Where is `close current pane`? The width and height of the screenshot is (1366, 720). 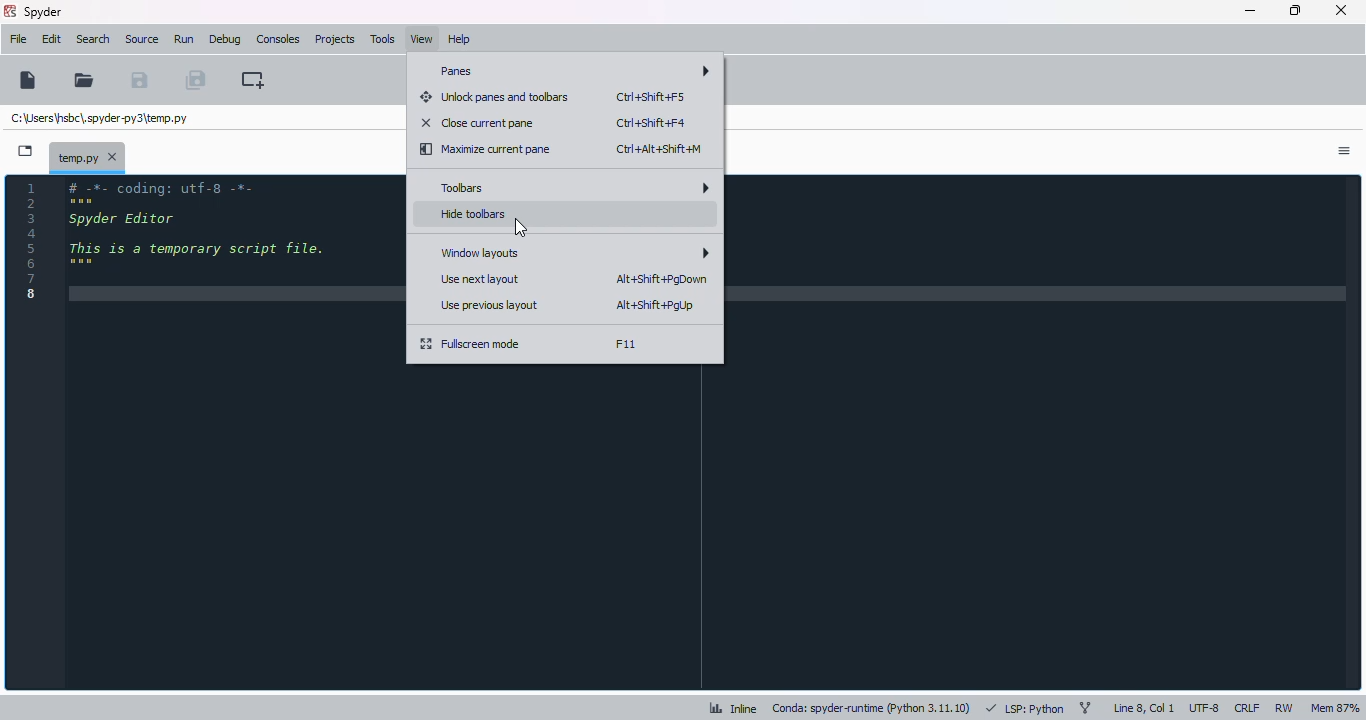
close current pane is located at coordinates (476, 123).